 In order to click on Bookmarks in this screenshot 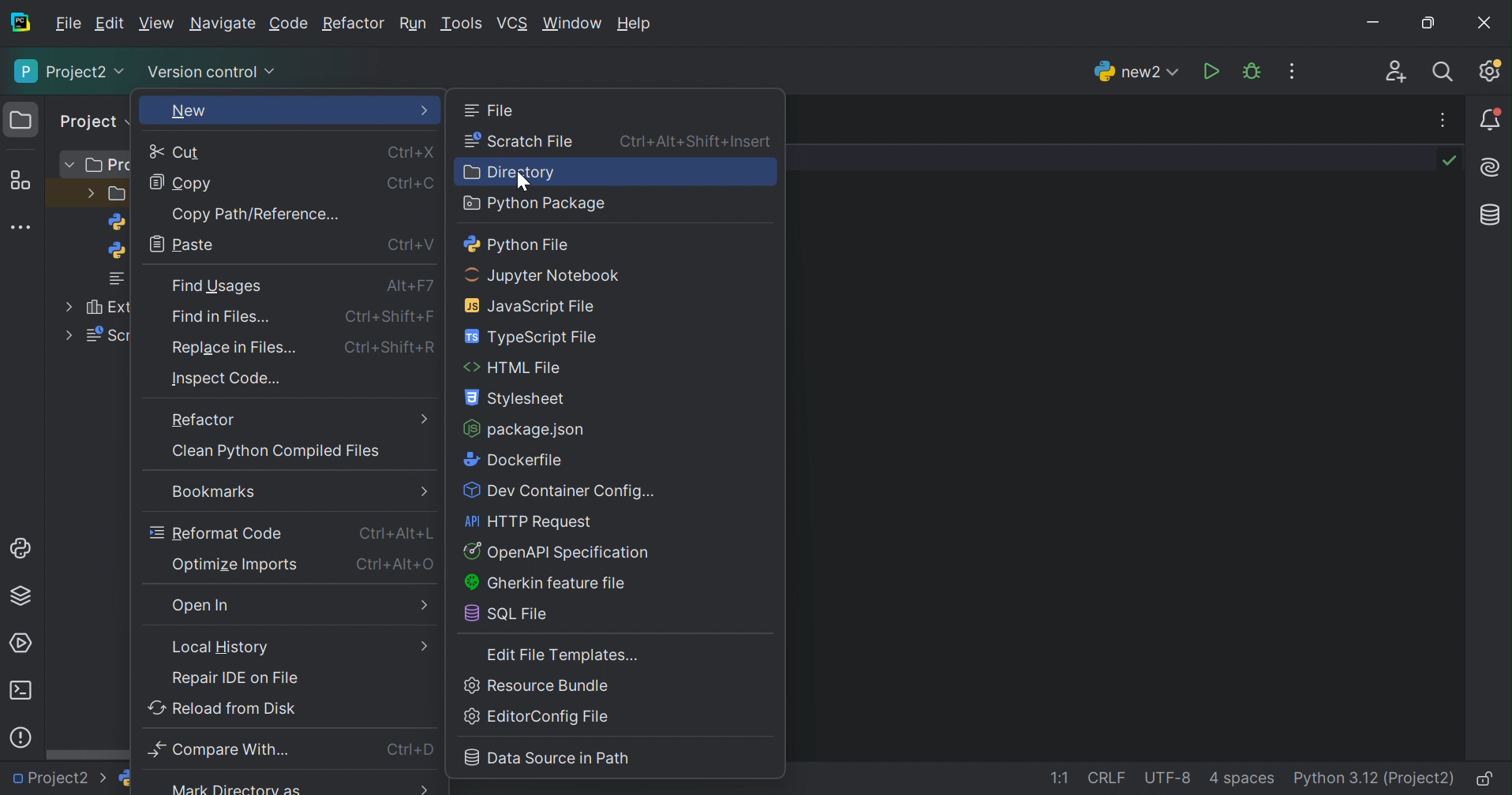, I will do `click(214, 491)`.